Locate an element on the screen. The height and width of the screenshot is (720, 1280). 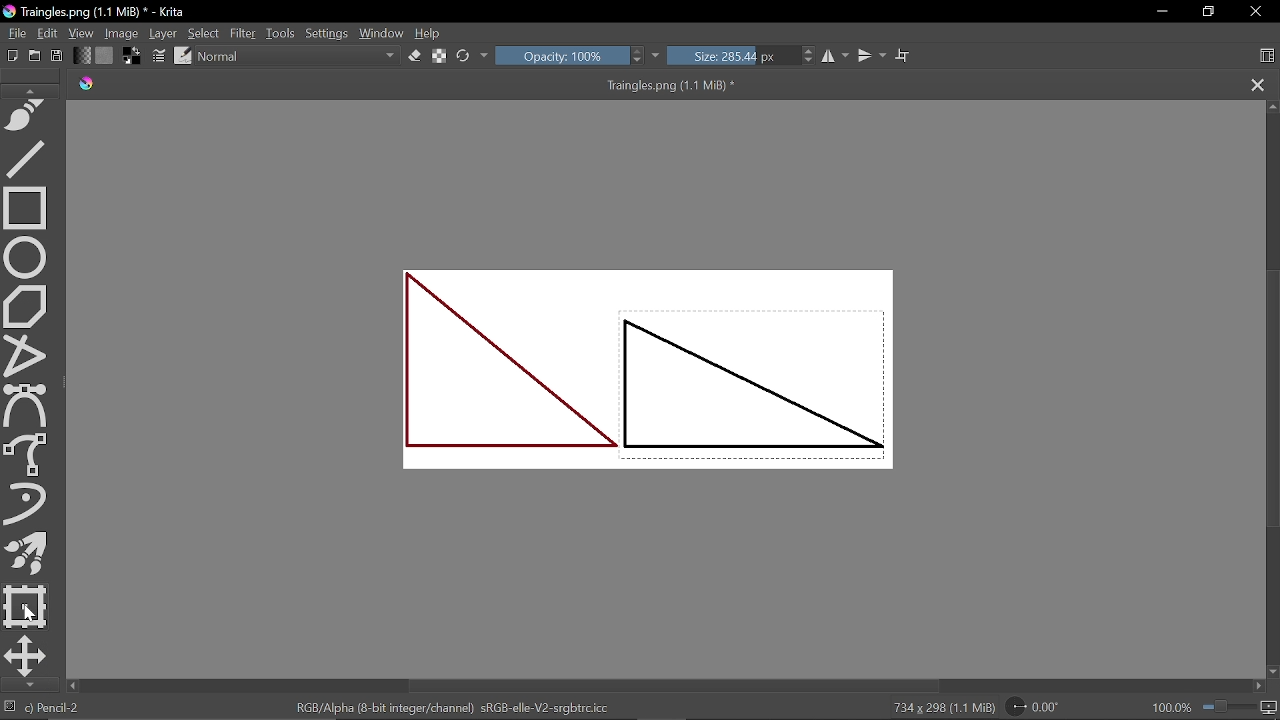
Filter is located at coordinates (242, 33).